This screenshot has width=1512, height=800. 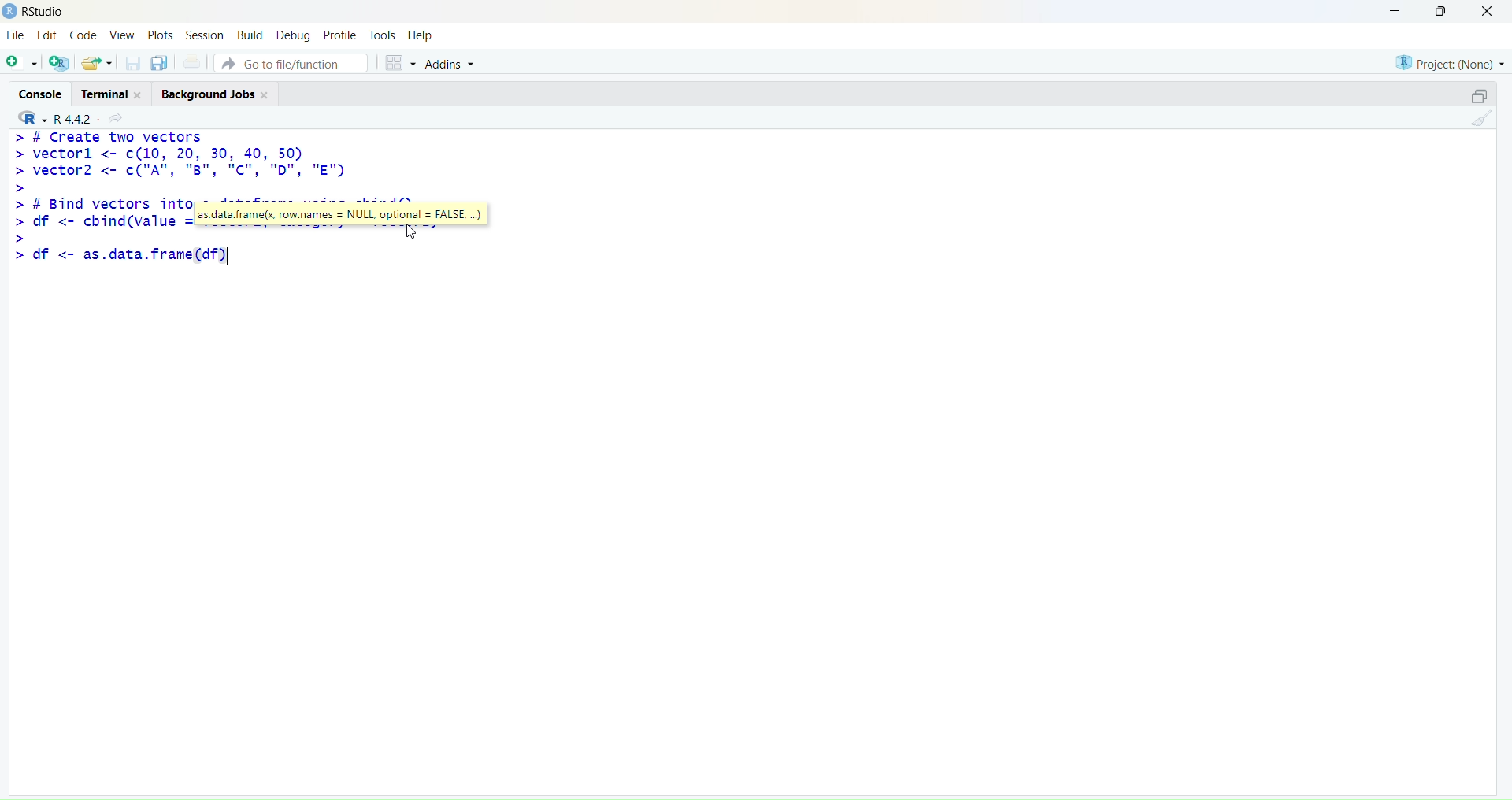 I want to click on Console, so click(x=39, y=92).